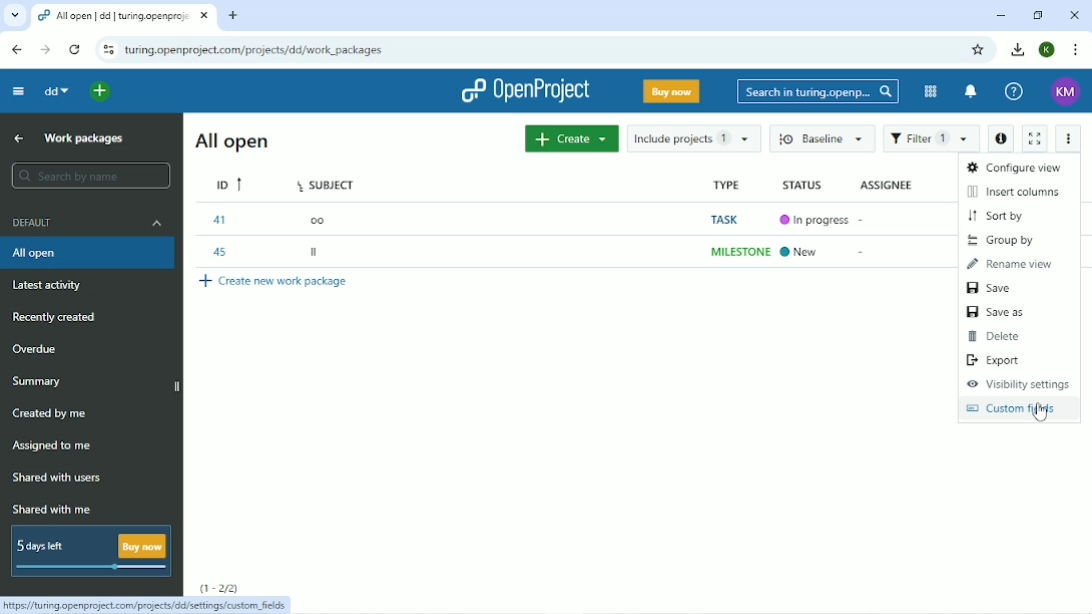 This screenshot has width=1092, height=614. What do you see at coordinates (1018, 384) in the screenshot?
I see `Visibility settings` at bounding box center [1018, 384].